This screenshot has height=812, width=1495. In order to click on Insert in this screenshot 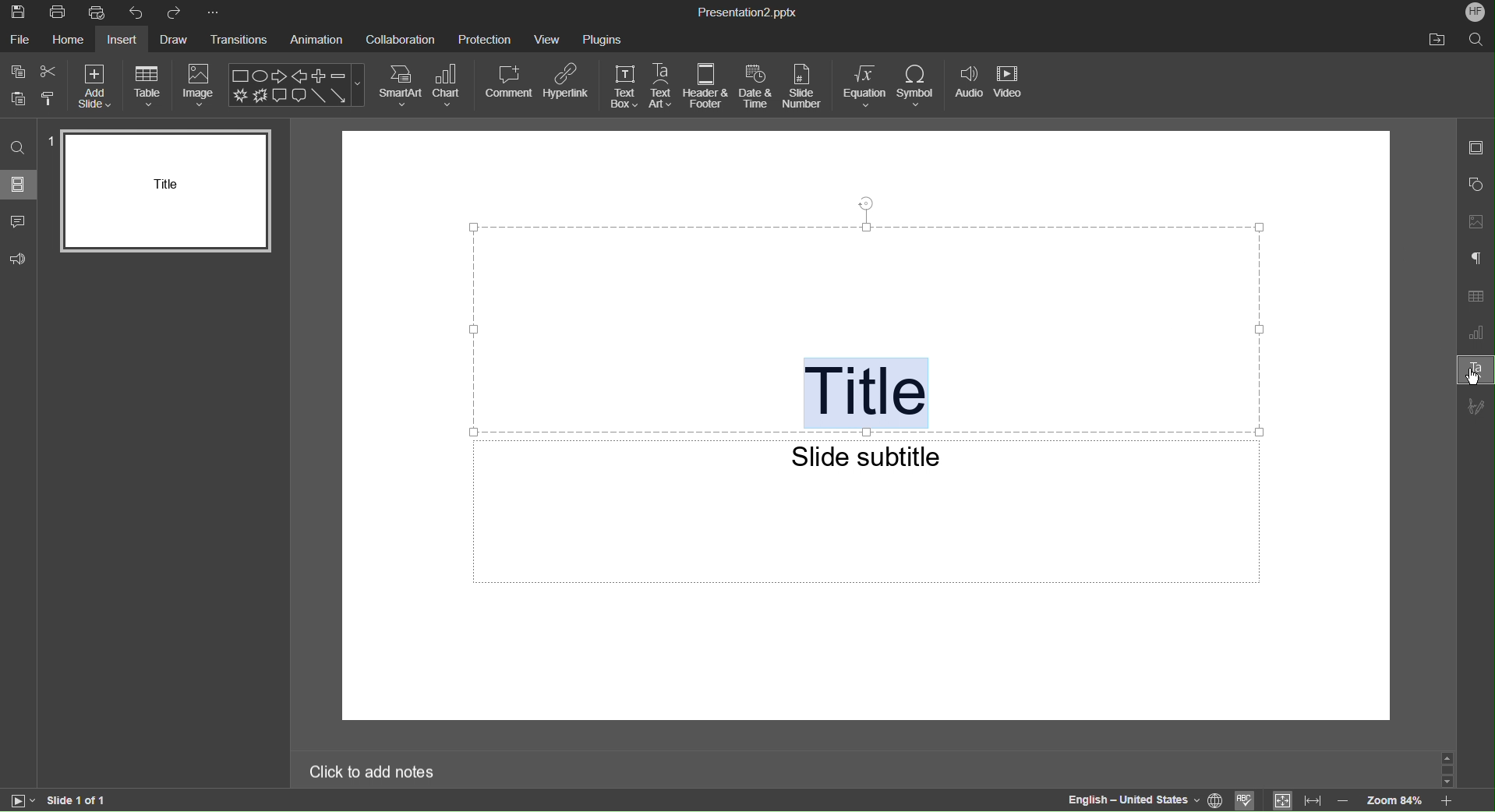, I will do `click(121, 40)`.